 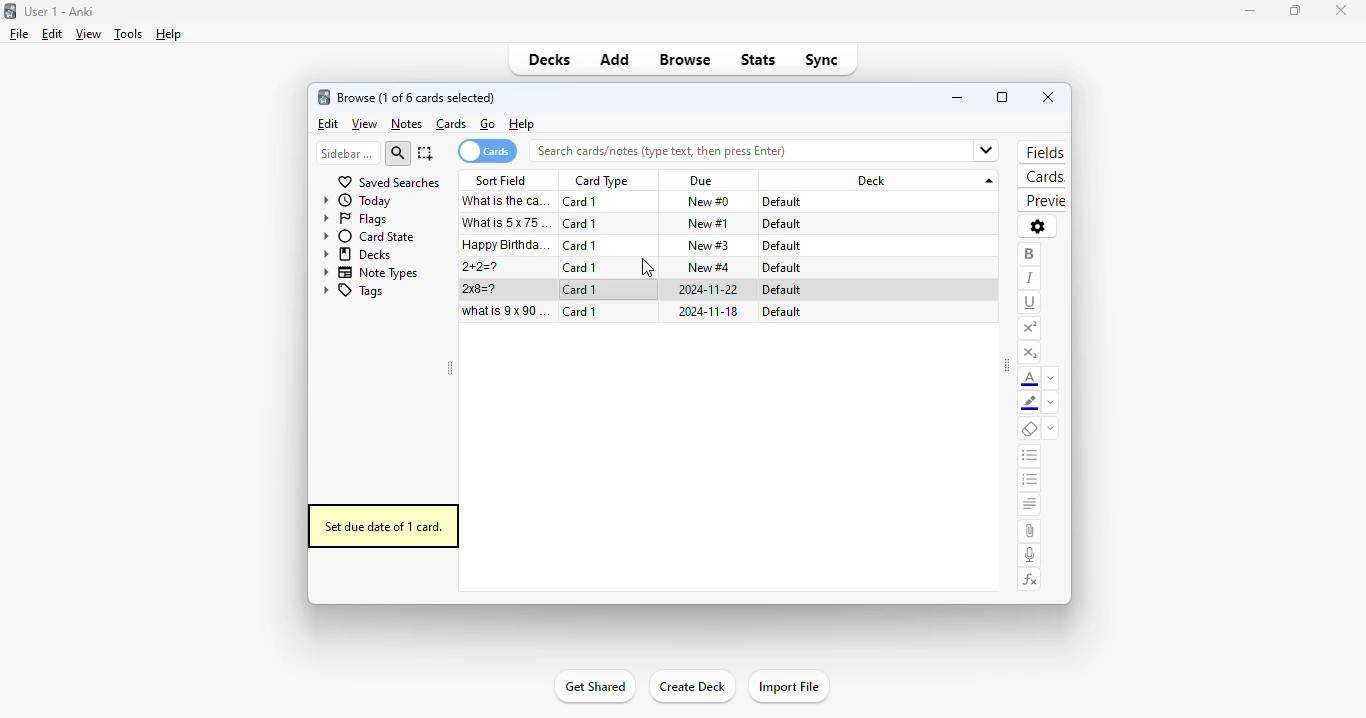 What do you see at coordinates (783, 202) in the screenshot?
I see `default` at bounding box center [783, 202].